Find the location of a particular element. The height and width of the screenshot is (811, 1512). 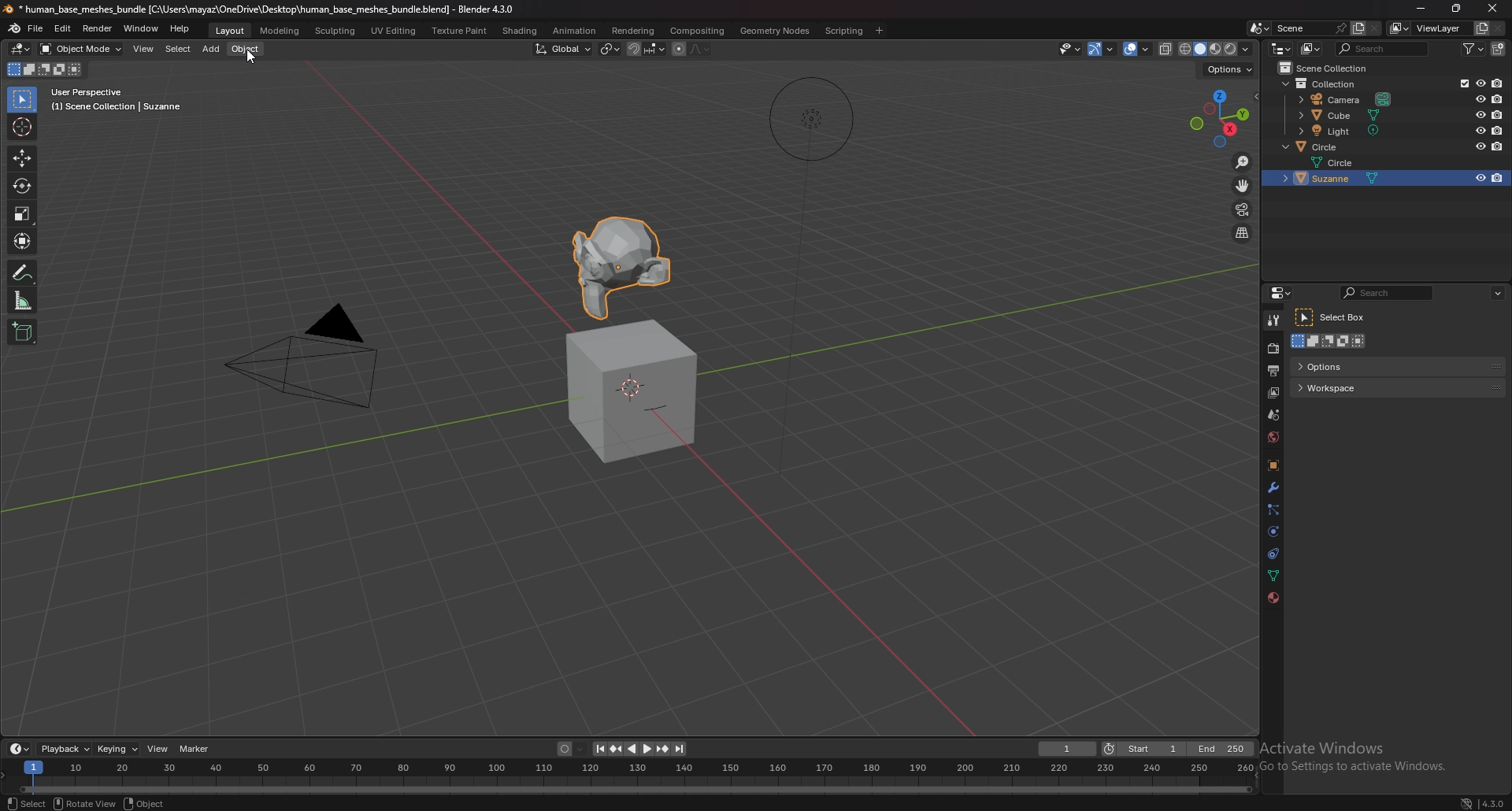

hide in viewport is located at coordinates (1477, 114).